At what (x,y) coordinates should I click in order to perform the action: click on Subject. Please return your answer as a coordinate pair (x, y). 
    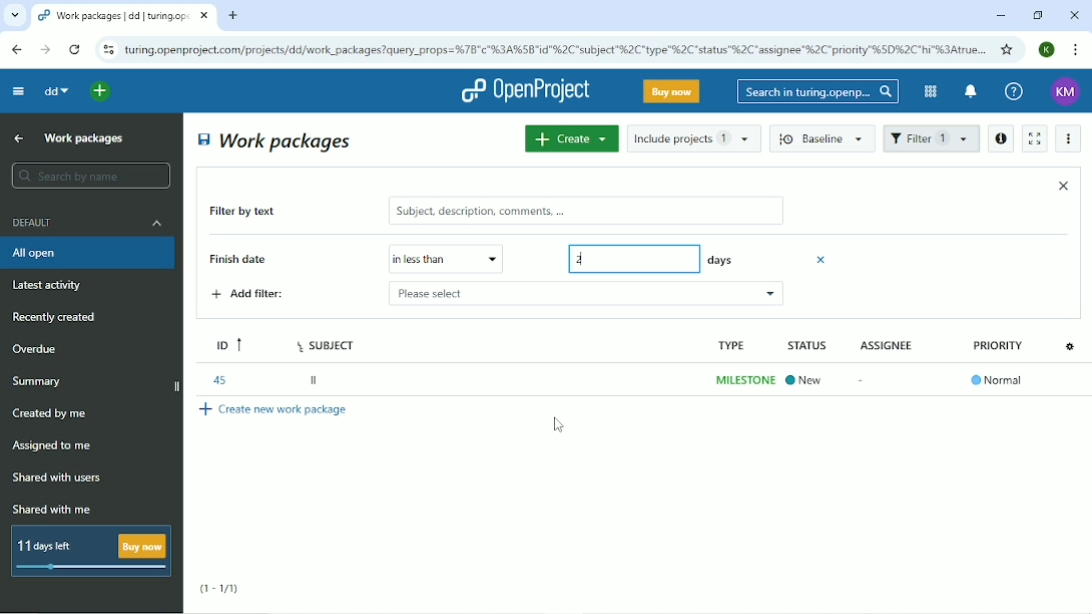
    Looking at the image, I should click on (328, 351).